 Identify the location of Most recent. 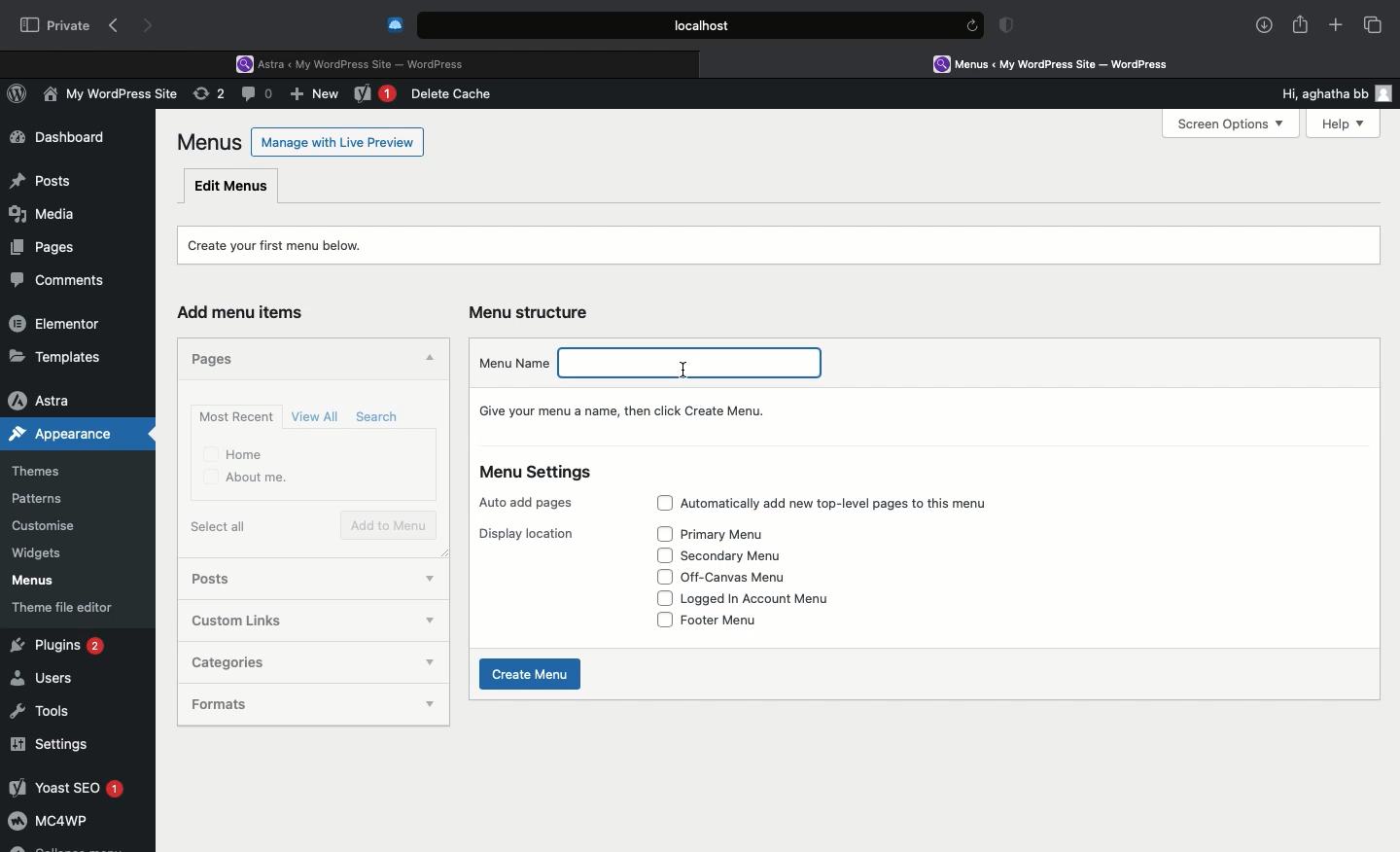
(233, 416).